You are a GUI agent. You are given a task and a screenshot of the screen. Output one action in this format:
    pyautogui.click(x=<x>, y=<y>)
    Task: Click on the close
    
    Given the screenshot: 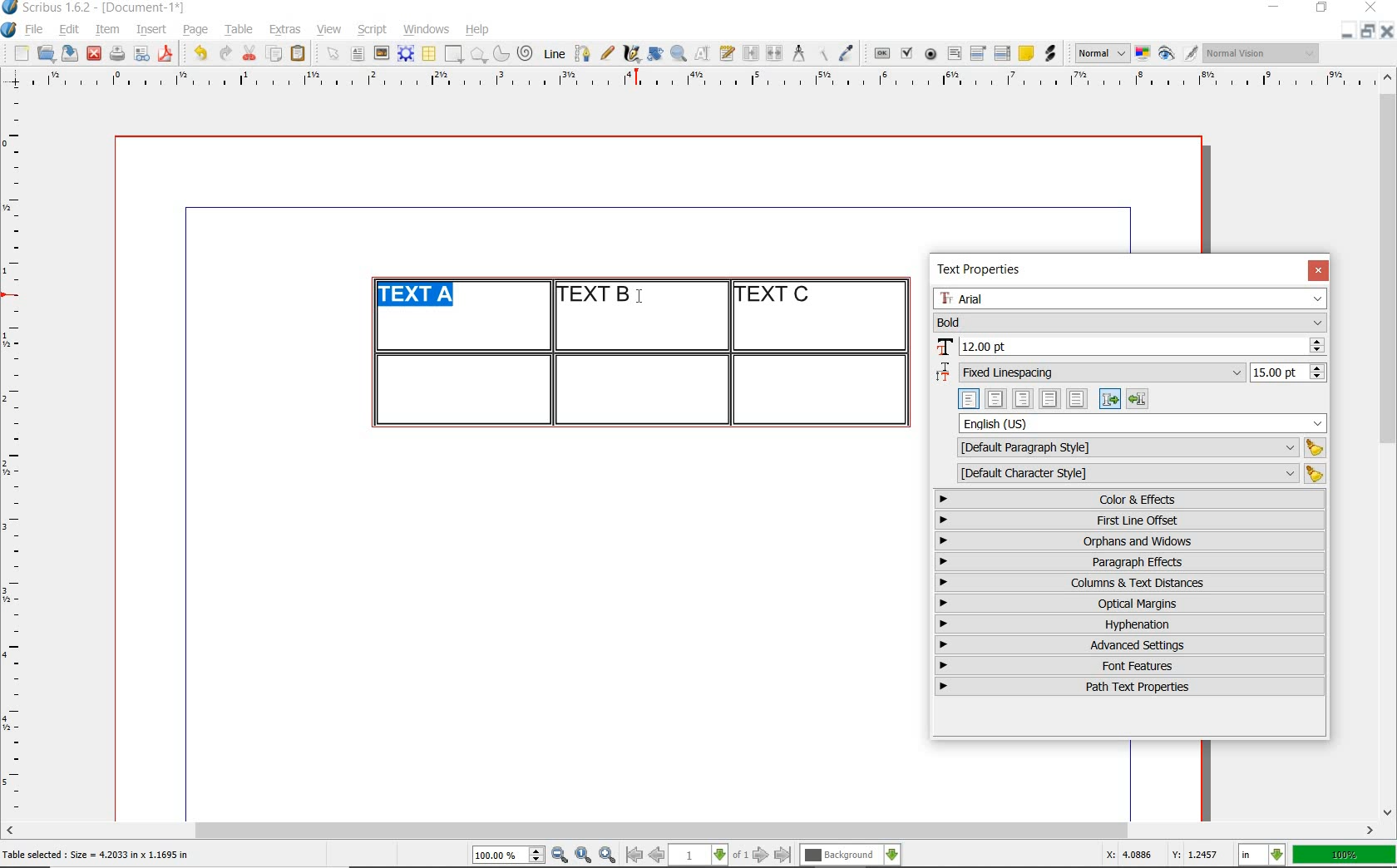 What is the action you would take?
    pyautogui.click(x=1318, y=270)
    